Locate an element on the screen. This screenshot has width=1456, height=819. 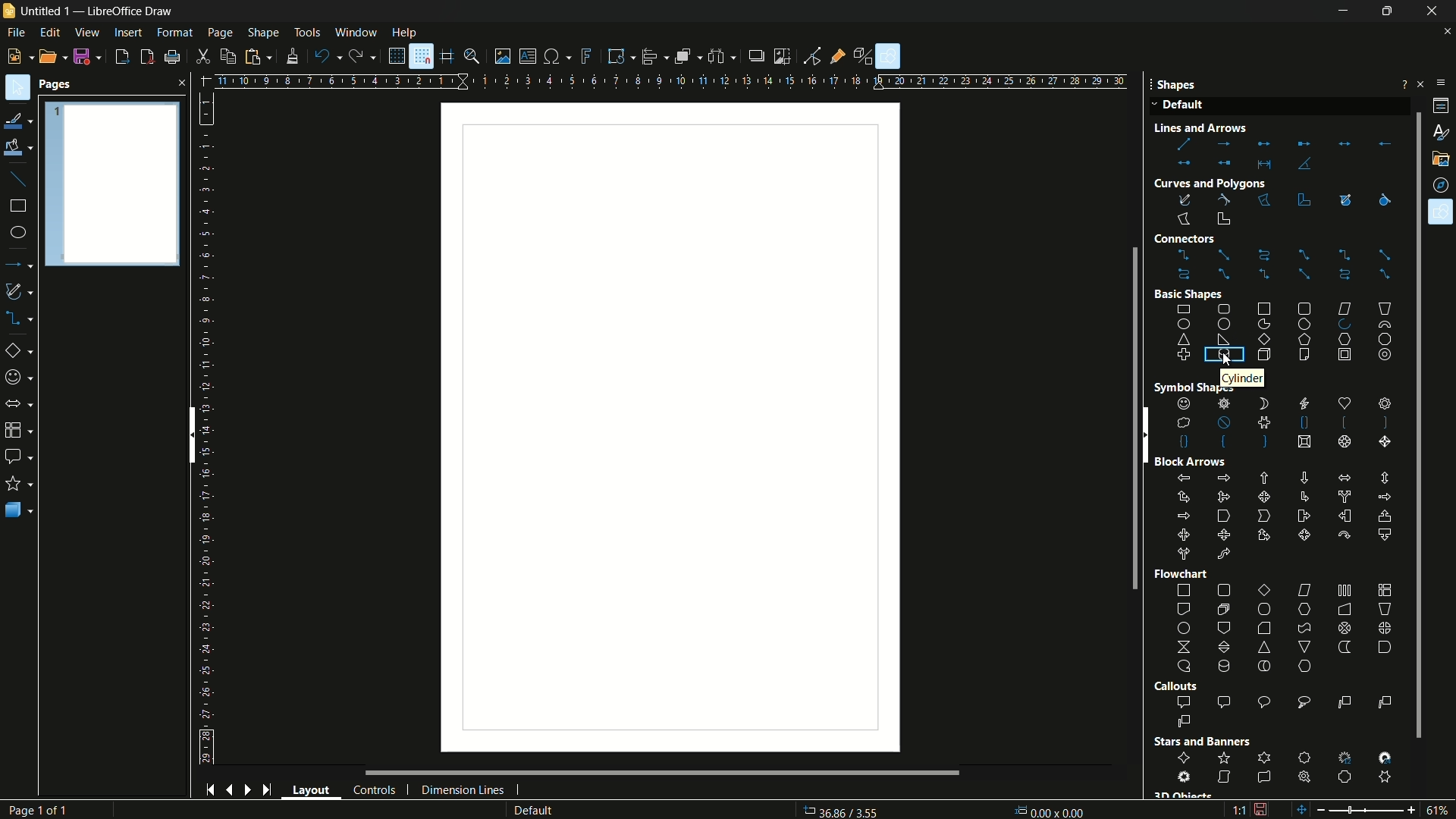
36.86 is located at coordinates (848, 811).